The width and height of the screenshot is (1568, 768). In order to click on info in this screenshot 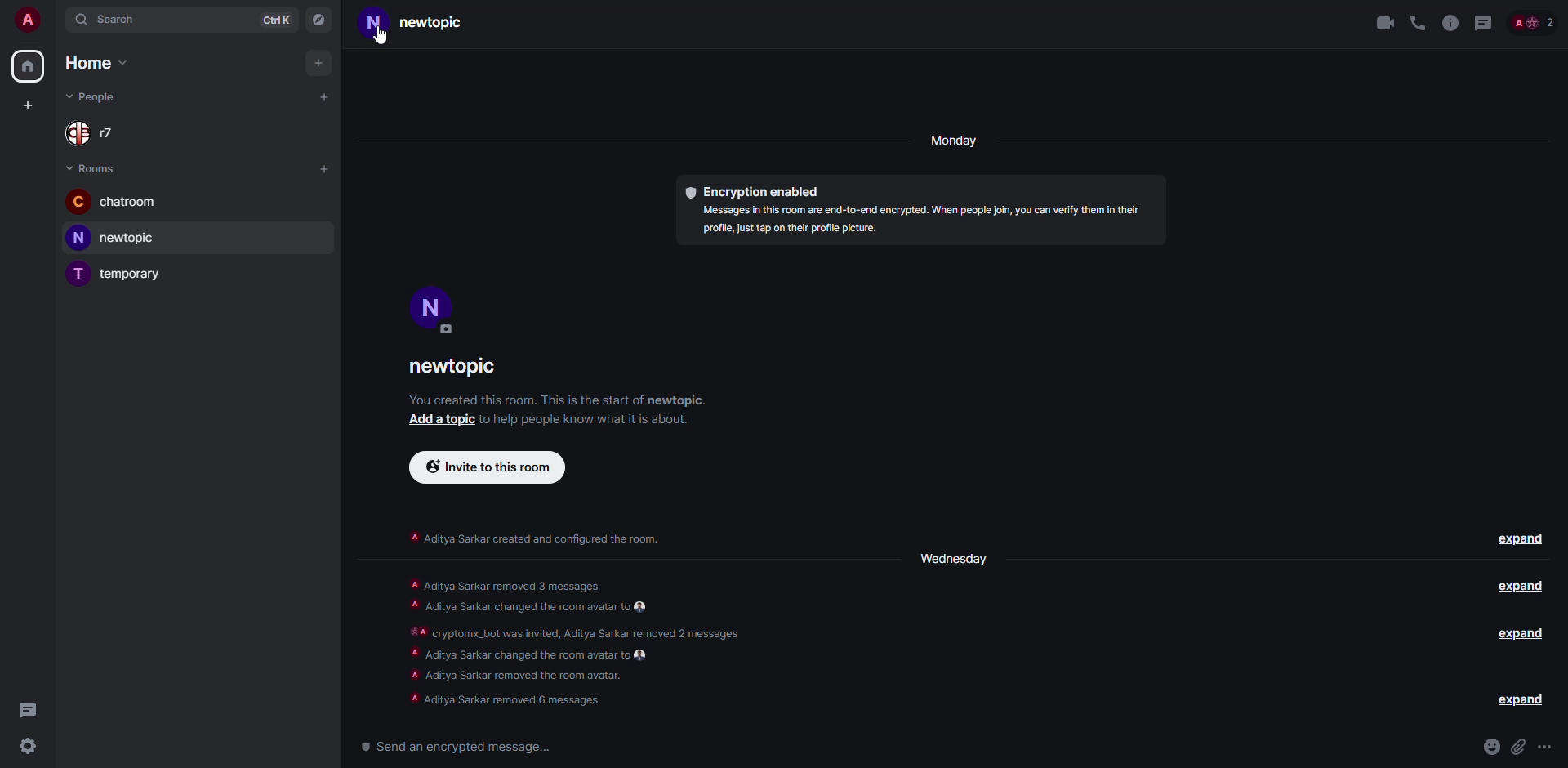, I will do `click(1450, 22)`.